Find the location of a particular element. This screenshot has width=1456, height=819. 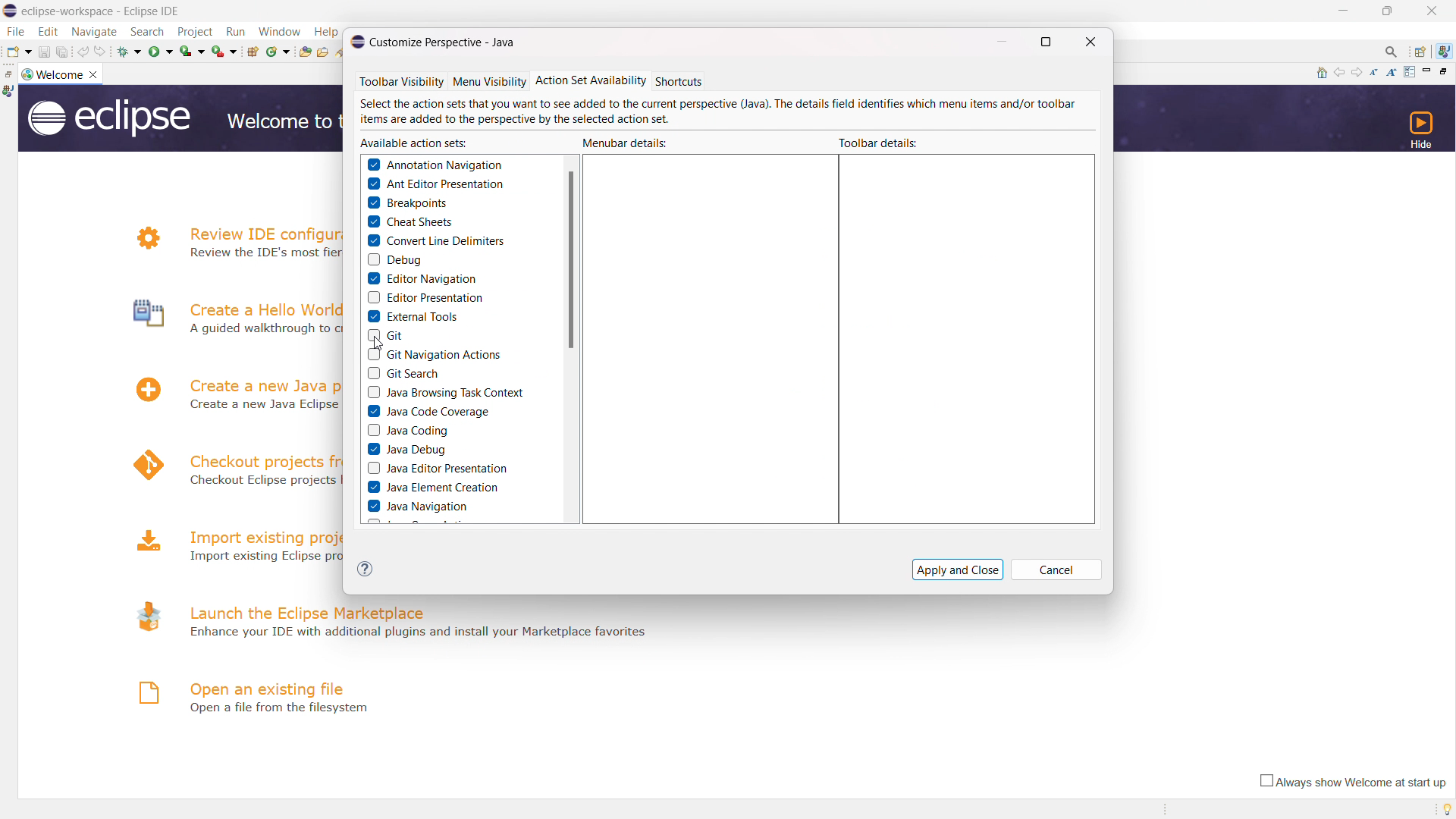

launch the eclipse marketplace is located at coordinates (308, 610).